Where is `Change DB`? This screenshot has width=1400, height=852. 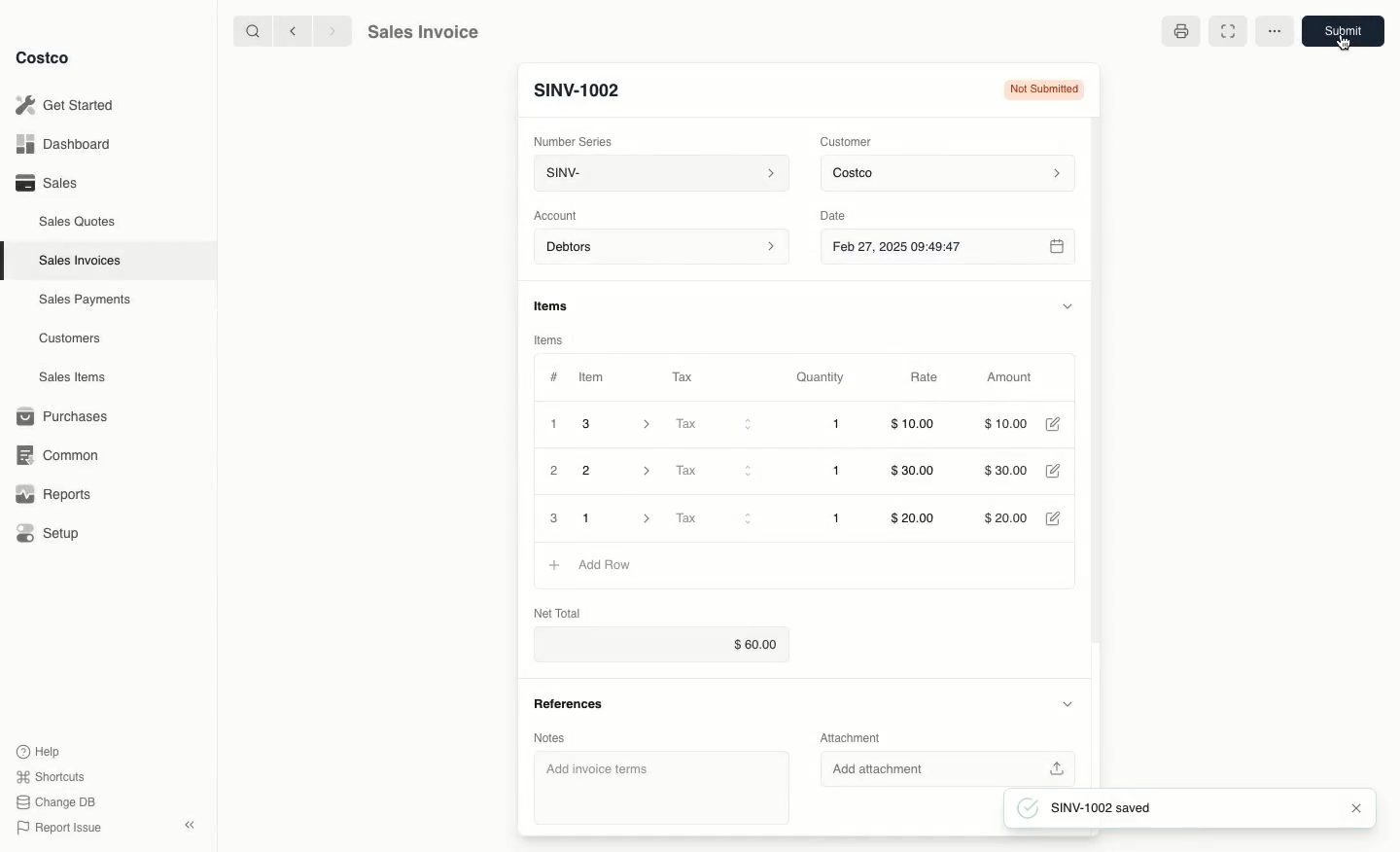 Change DB is located at coordinates (58, 799).